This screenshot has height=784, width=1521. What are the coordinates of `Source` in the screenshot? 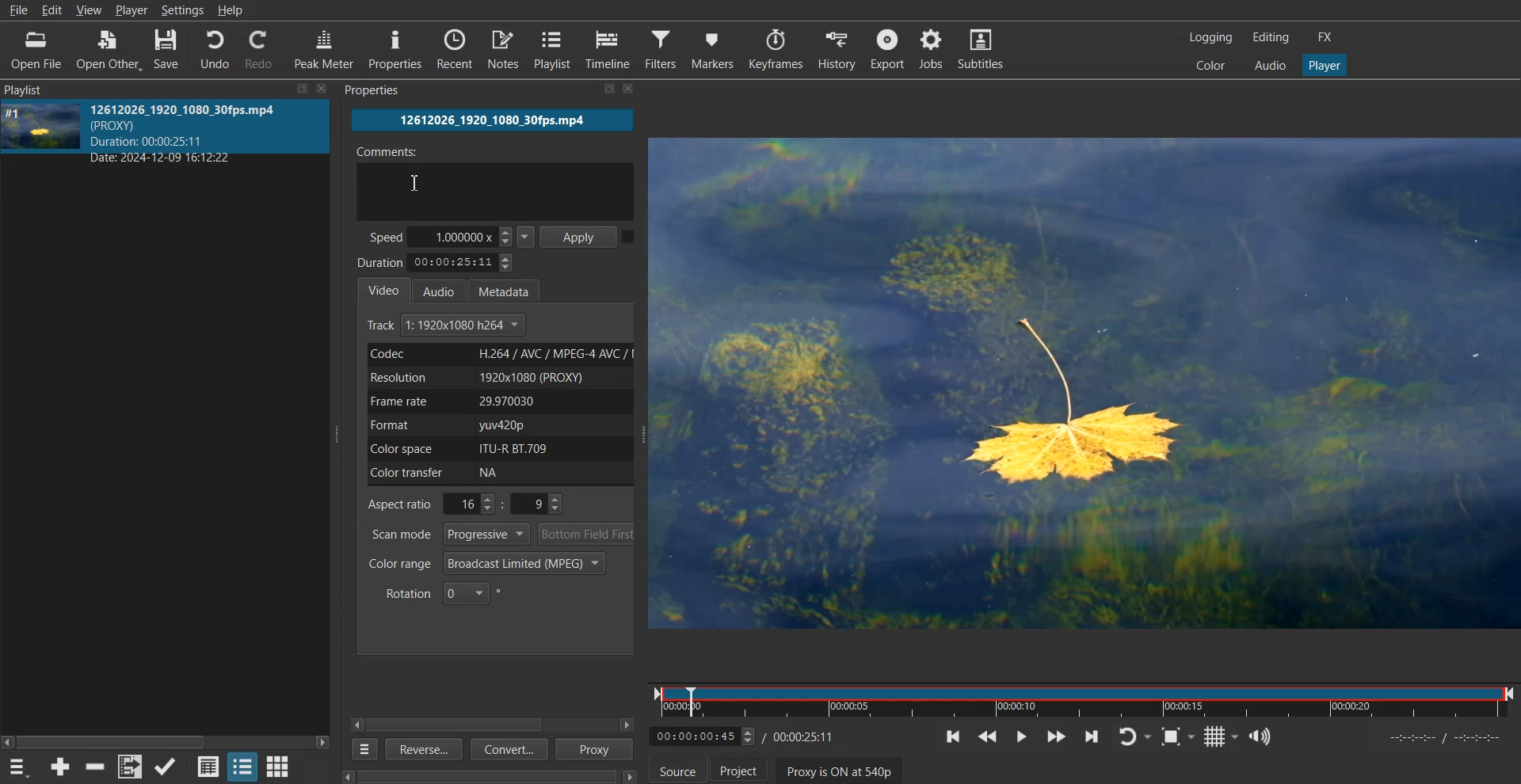 It's located at (677, 769).